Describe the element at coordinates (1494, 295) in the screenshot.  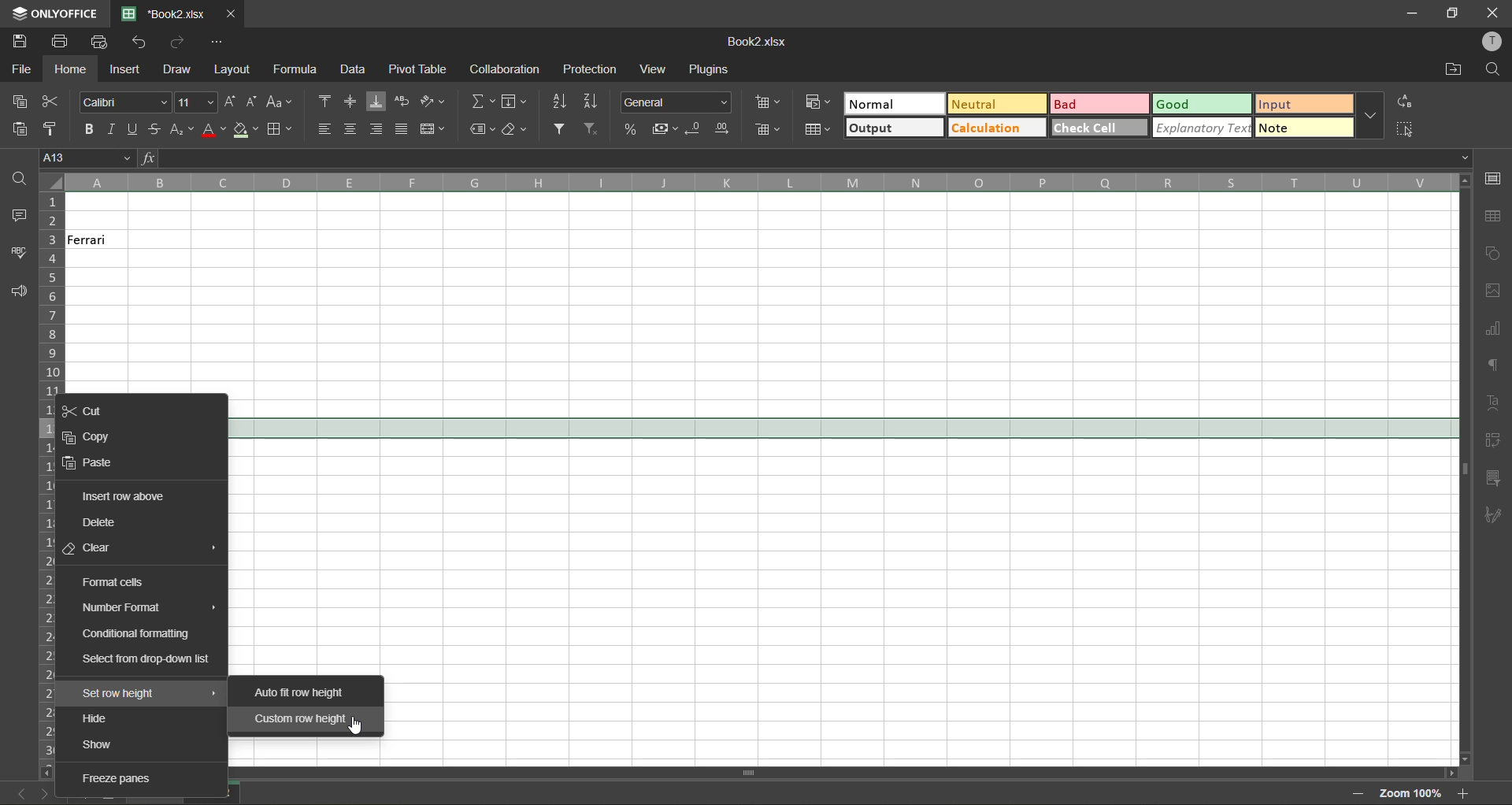
I see `images` at that location.